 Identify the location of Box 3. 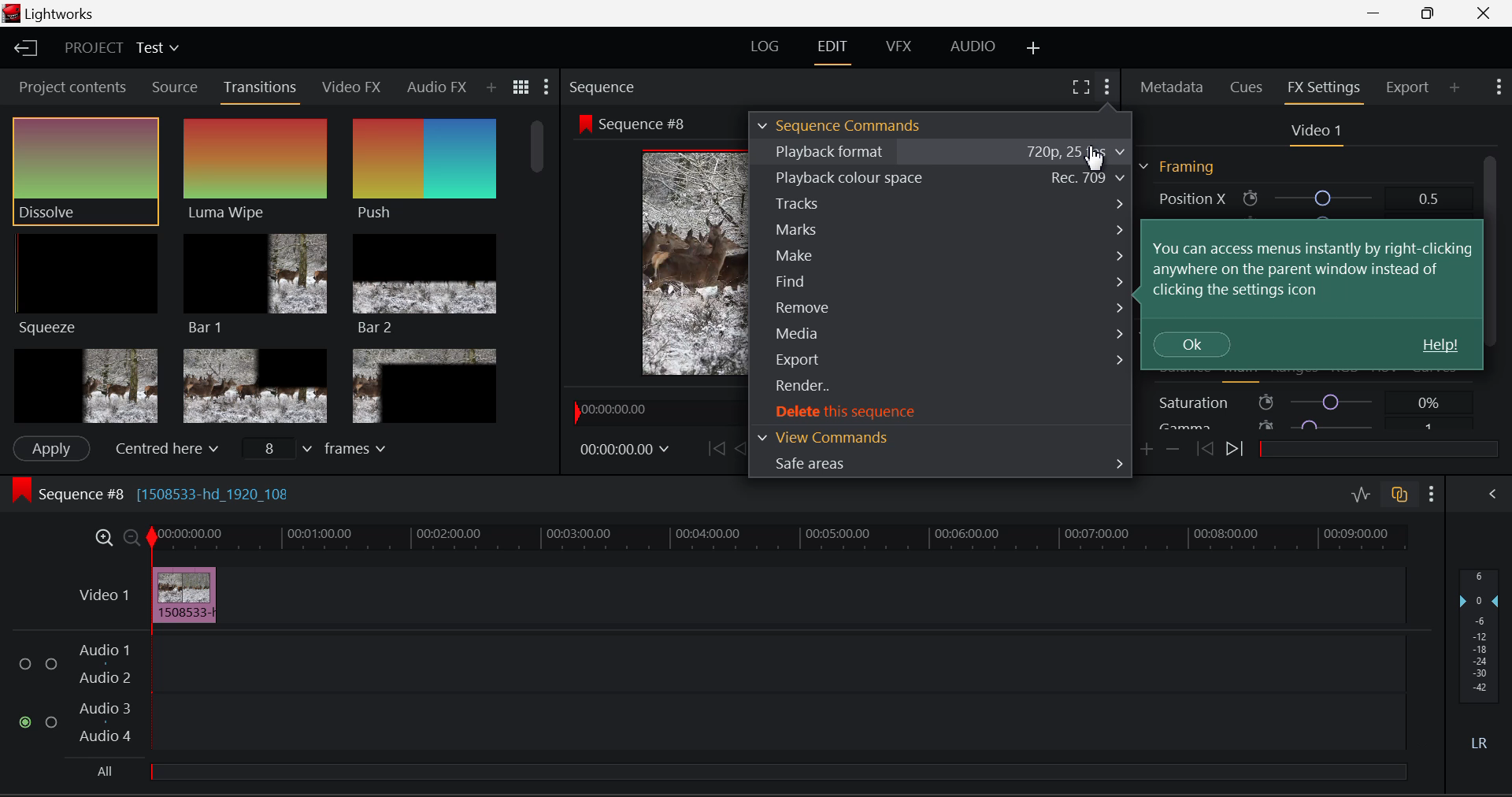
(424, 386).